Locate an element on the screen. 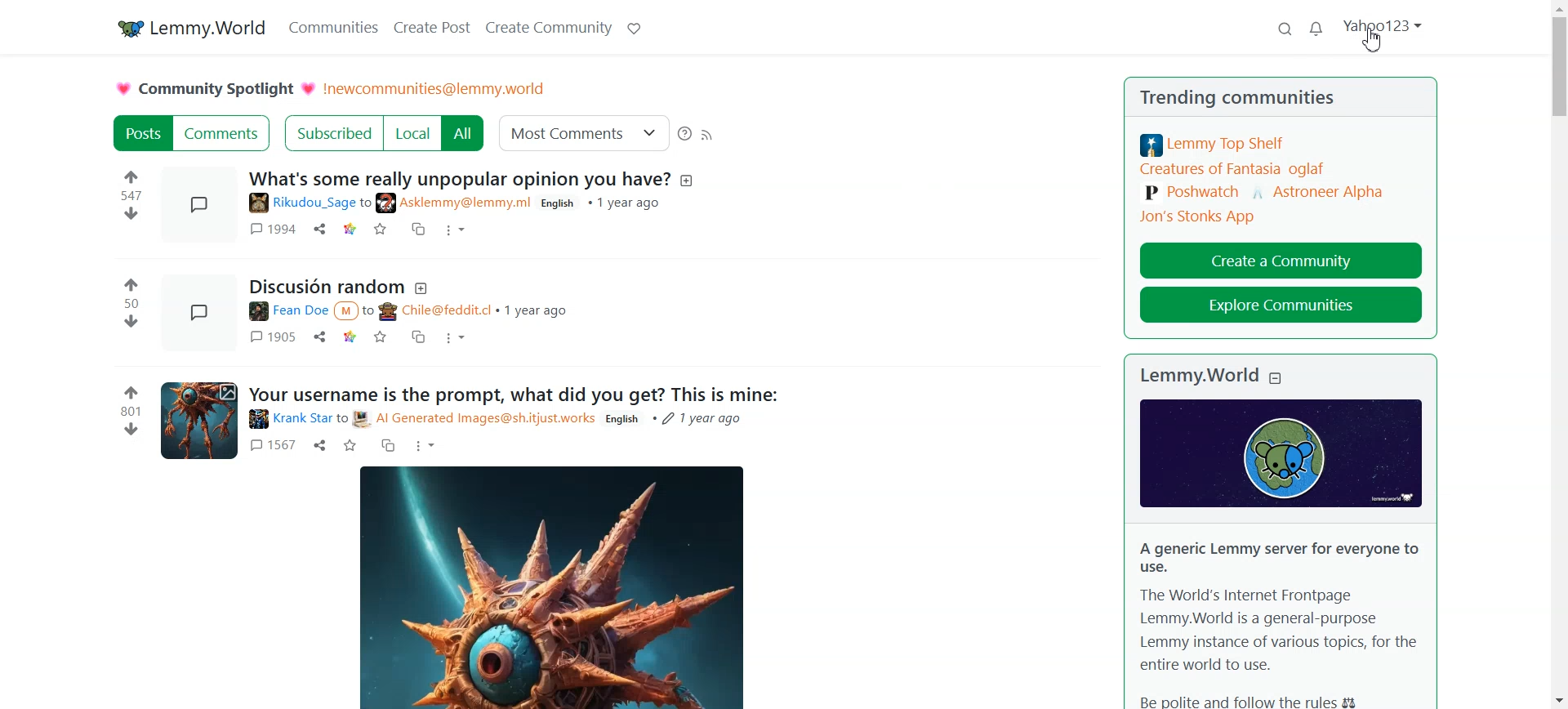 This screenshot has height=709, width=1568. more actions is located at coordinates (426, 446).